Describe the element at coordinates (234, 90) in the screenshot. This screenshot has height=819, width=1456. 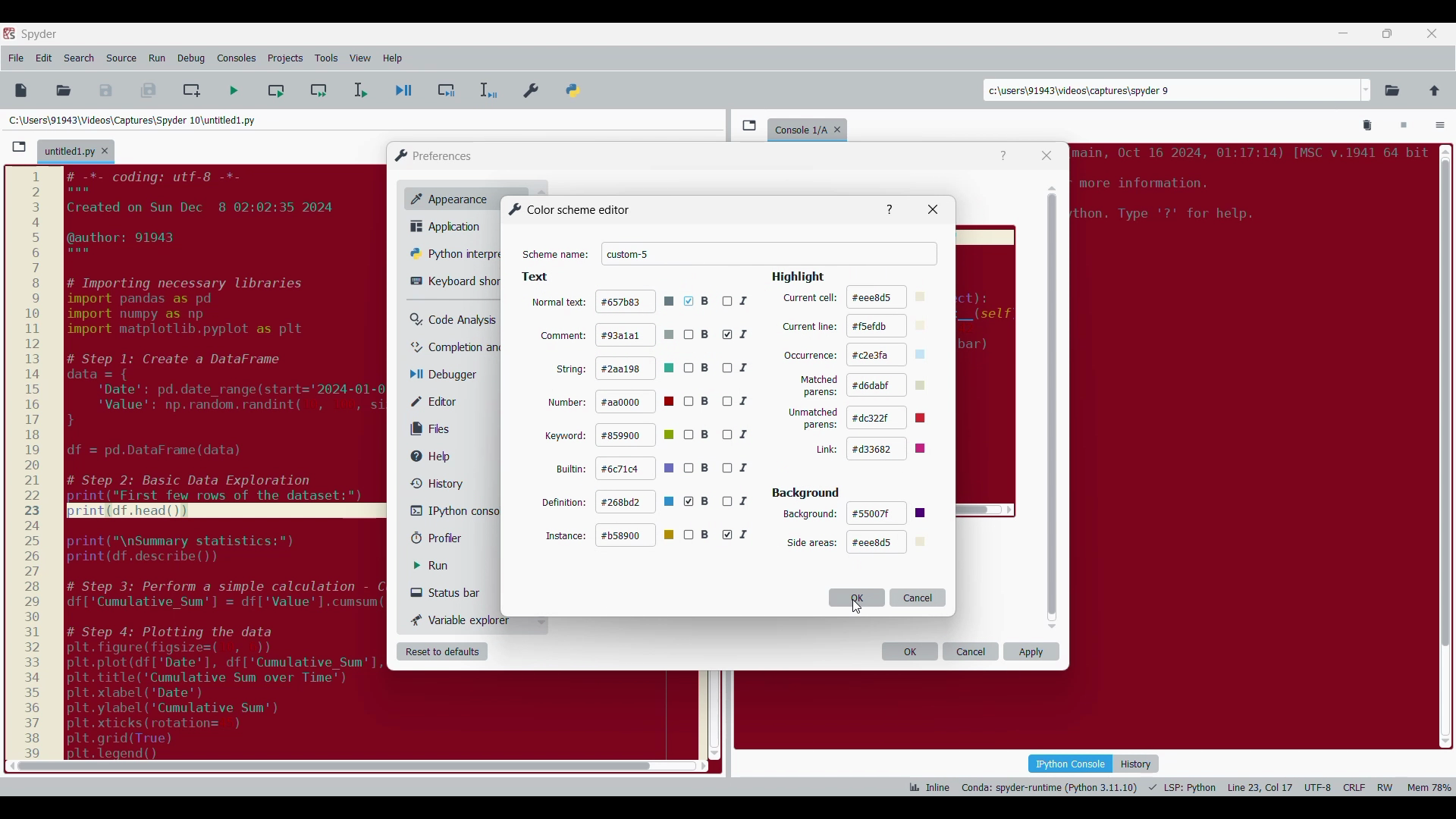
I see `Run file` at that location.